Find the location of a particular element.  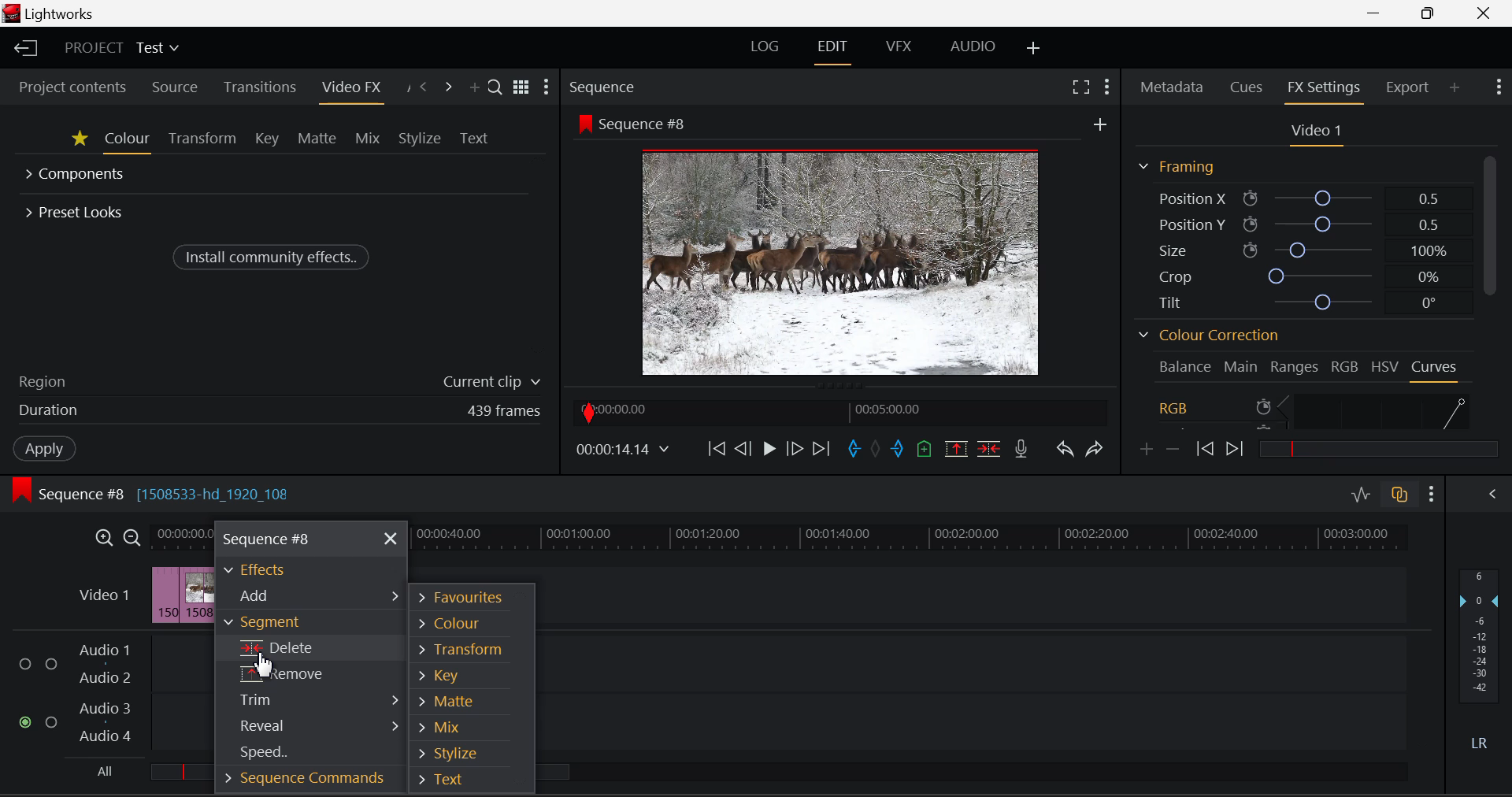

Go Back is located at coordinates (745, 450).